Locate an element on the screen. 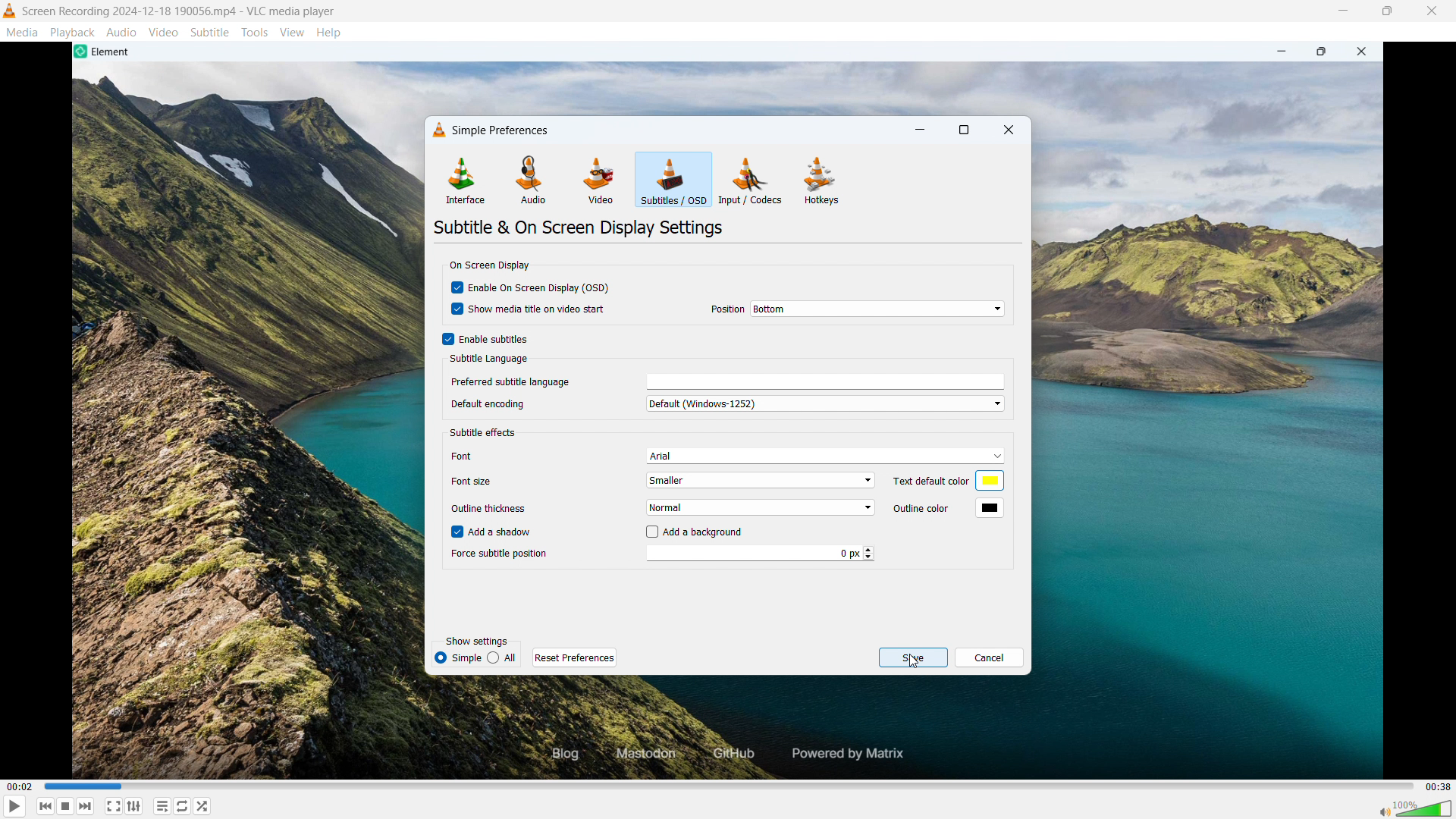  toggle playlist is located at coordinates (162, 806).